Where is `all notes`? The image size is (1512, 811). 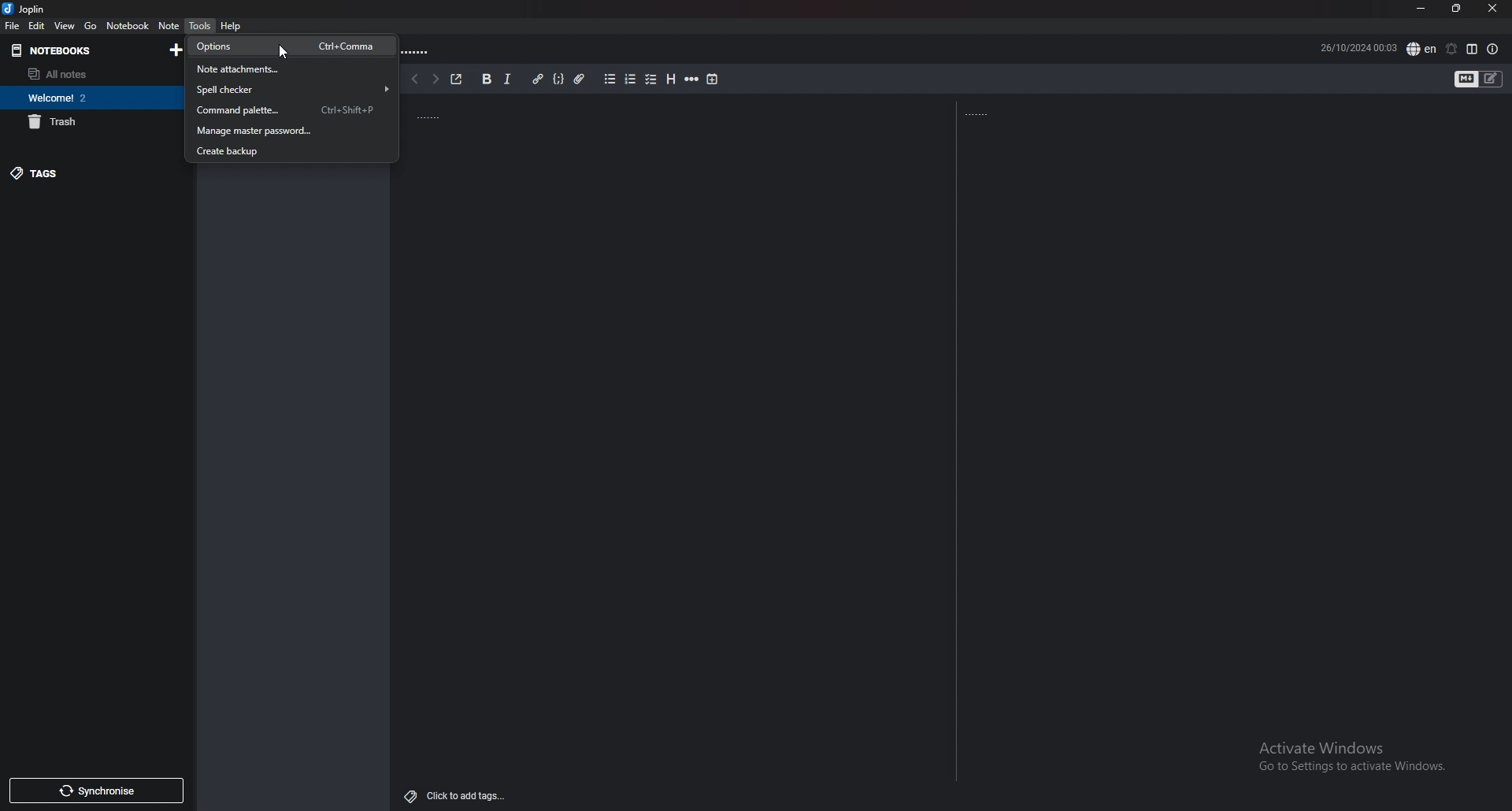 all notes is located at coordinates (89, 73).